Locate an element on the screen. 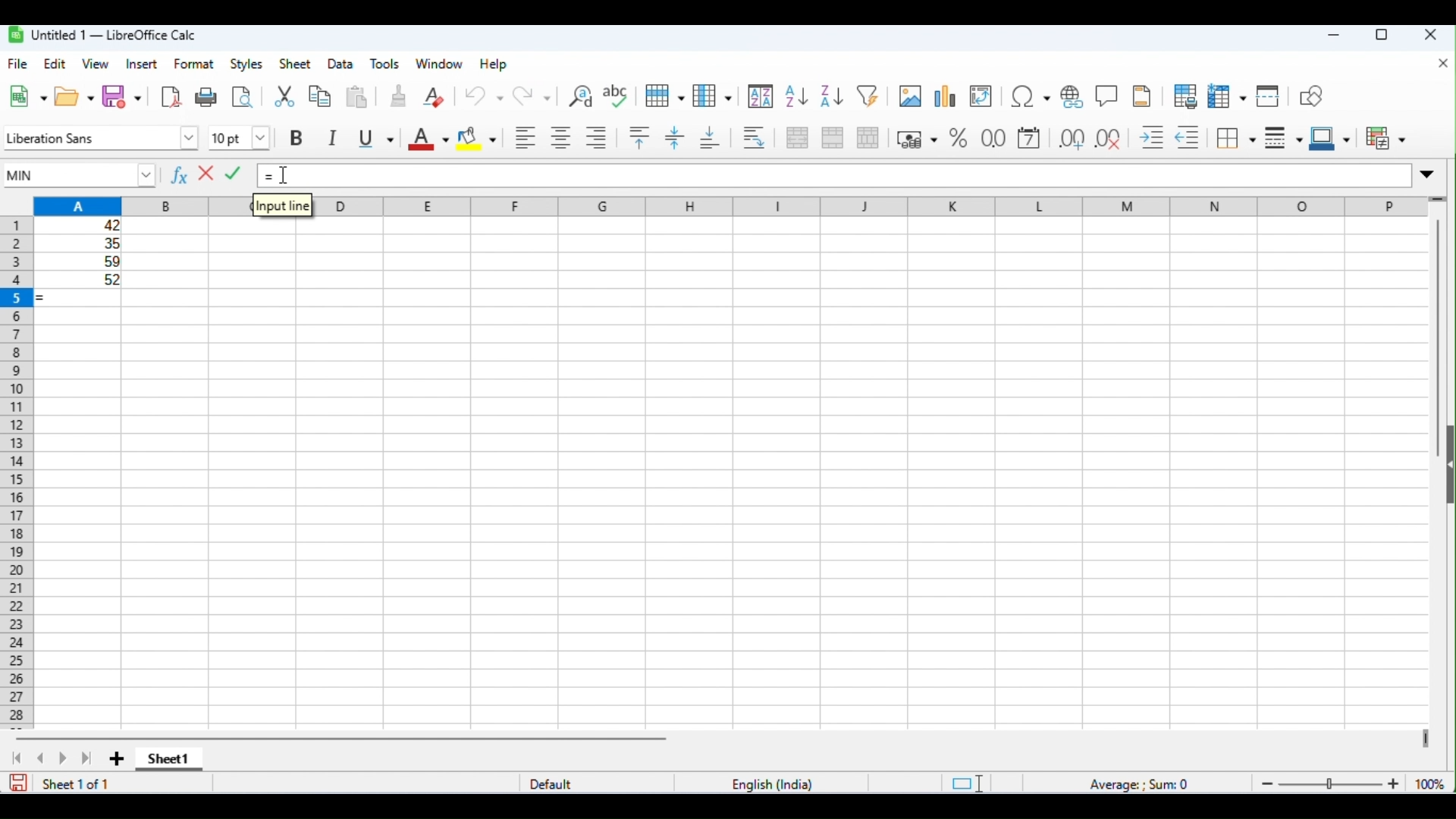 The height and width of the screenshot is (819, 1456). format as date is located at coordinates (1029, 138).